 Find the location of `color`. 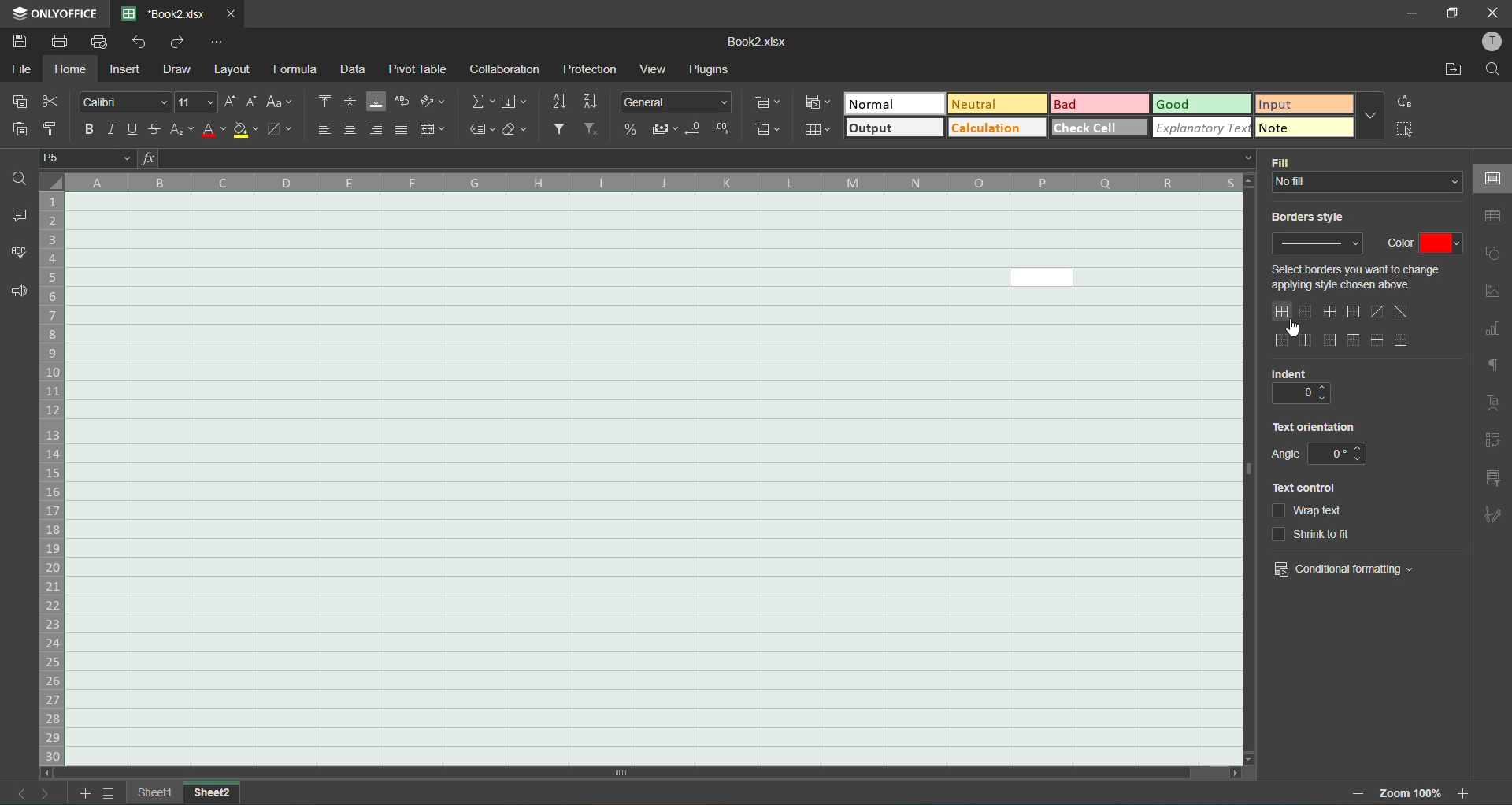

color is located at coordinates (1425, 244).